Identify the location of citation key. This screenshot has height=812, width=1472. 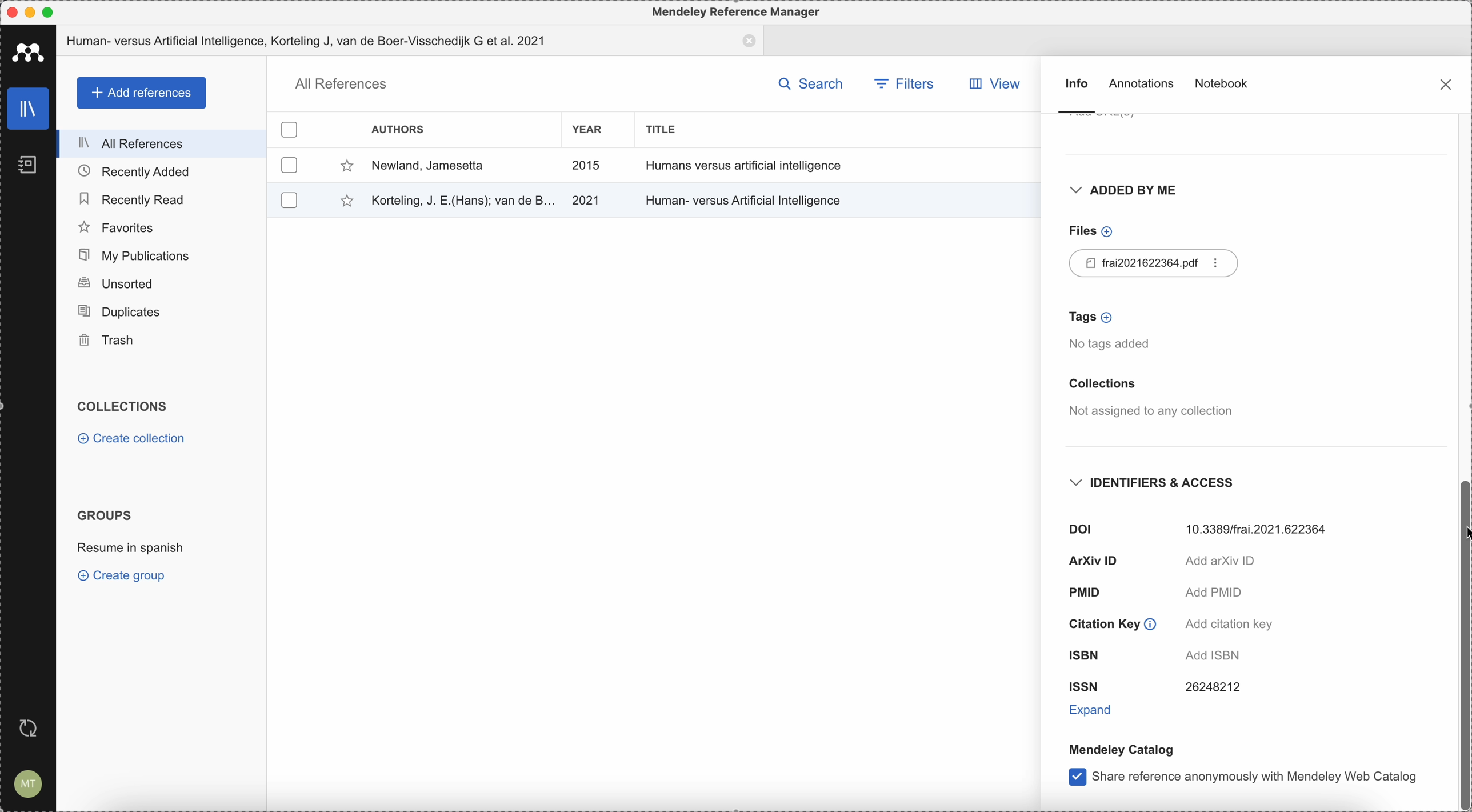
(1168, 623).